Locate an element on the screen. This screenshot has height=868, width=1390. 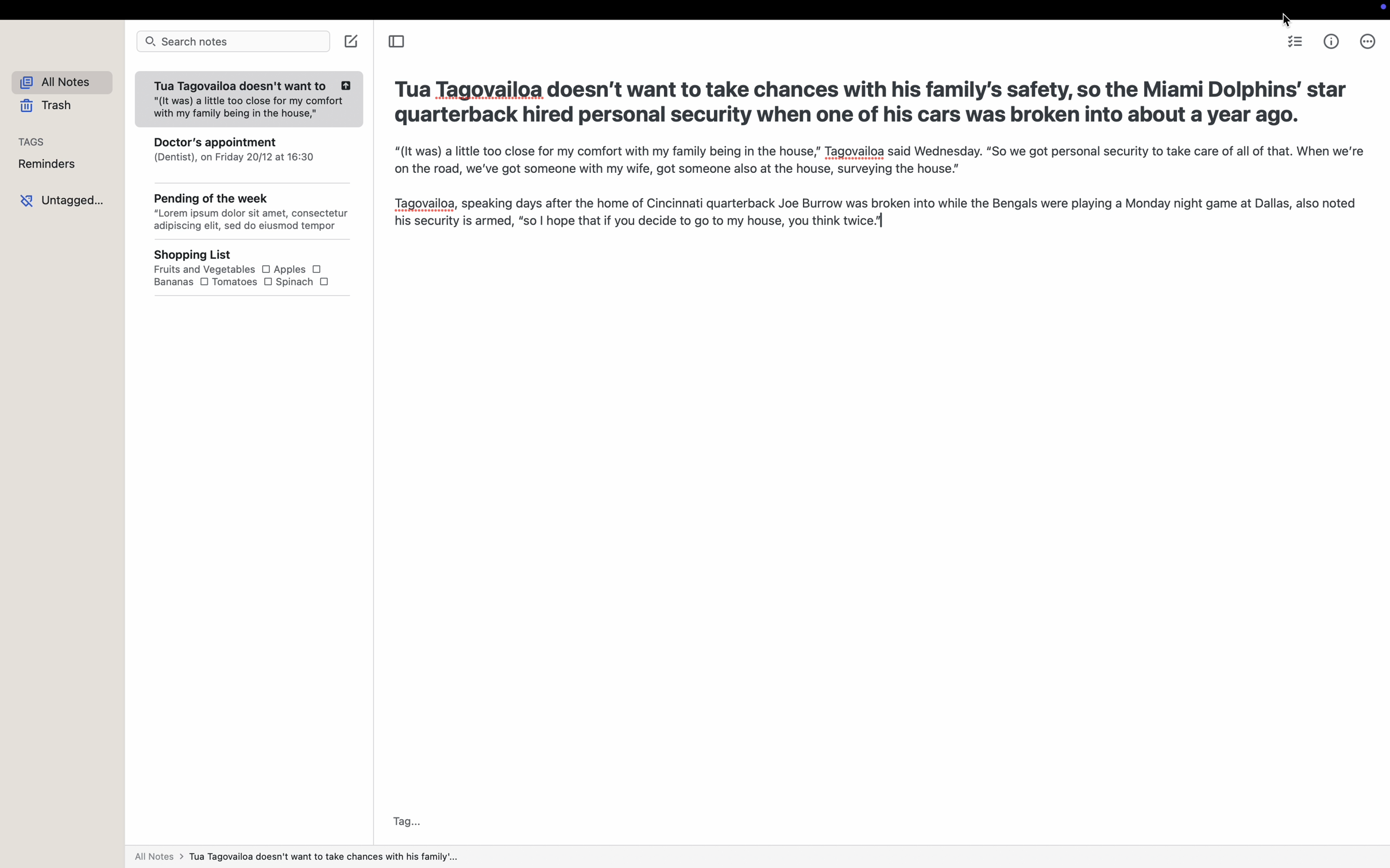
all notes is located at coordinates (67, 83).